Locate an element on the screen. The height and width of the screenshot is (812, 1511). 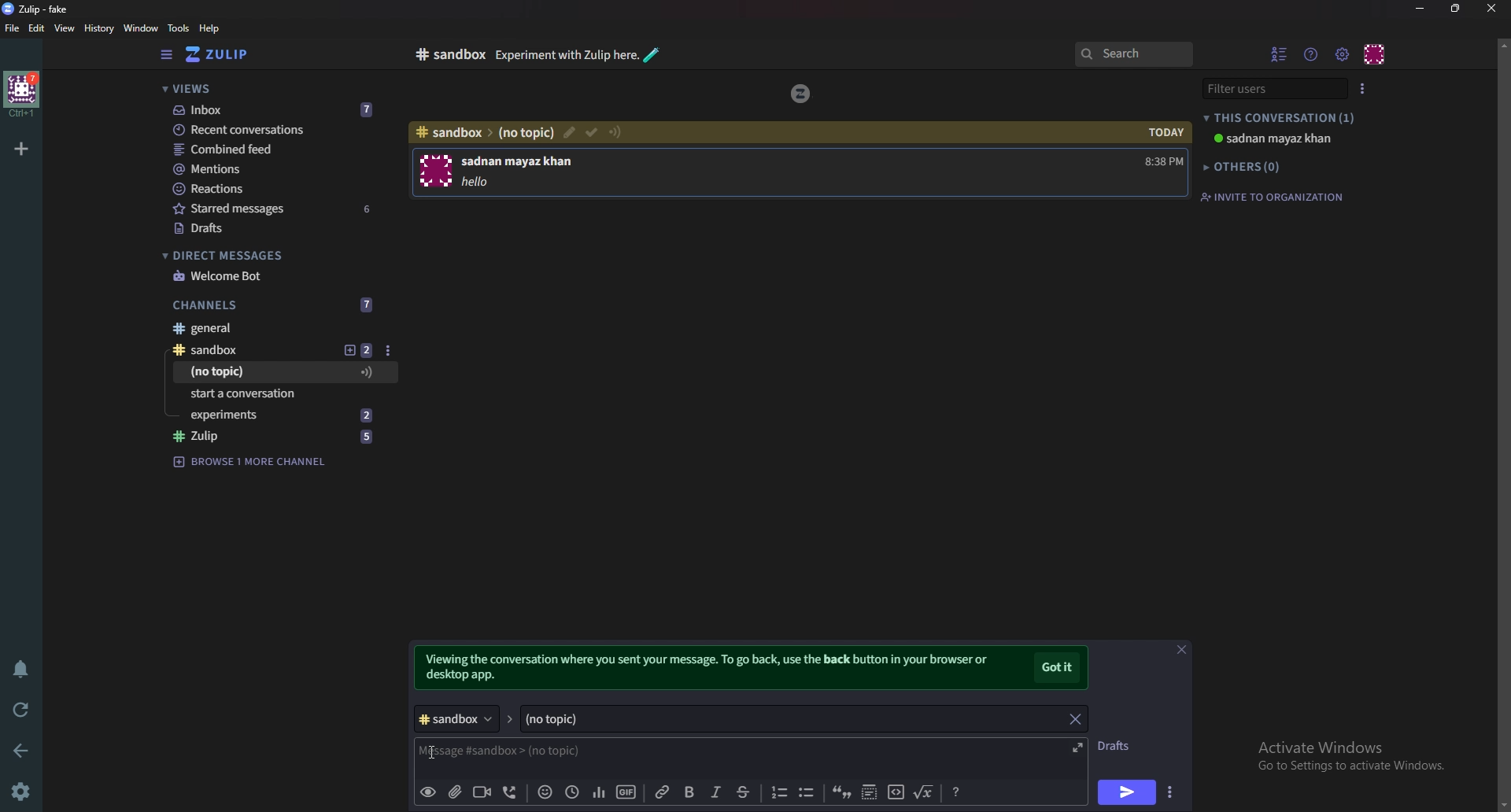
close is located at coordinates (1491, 9).